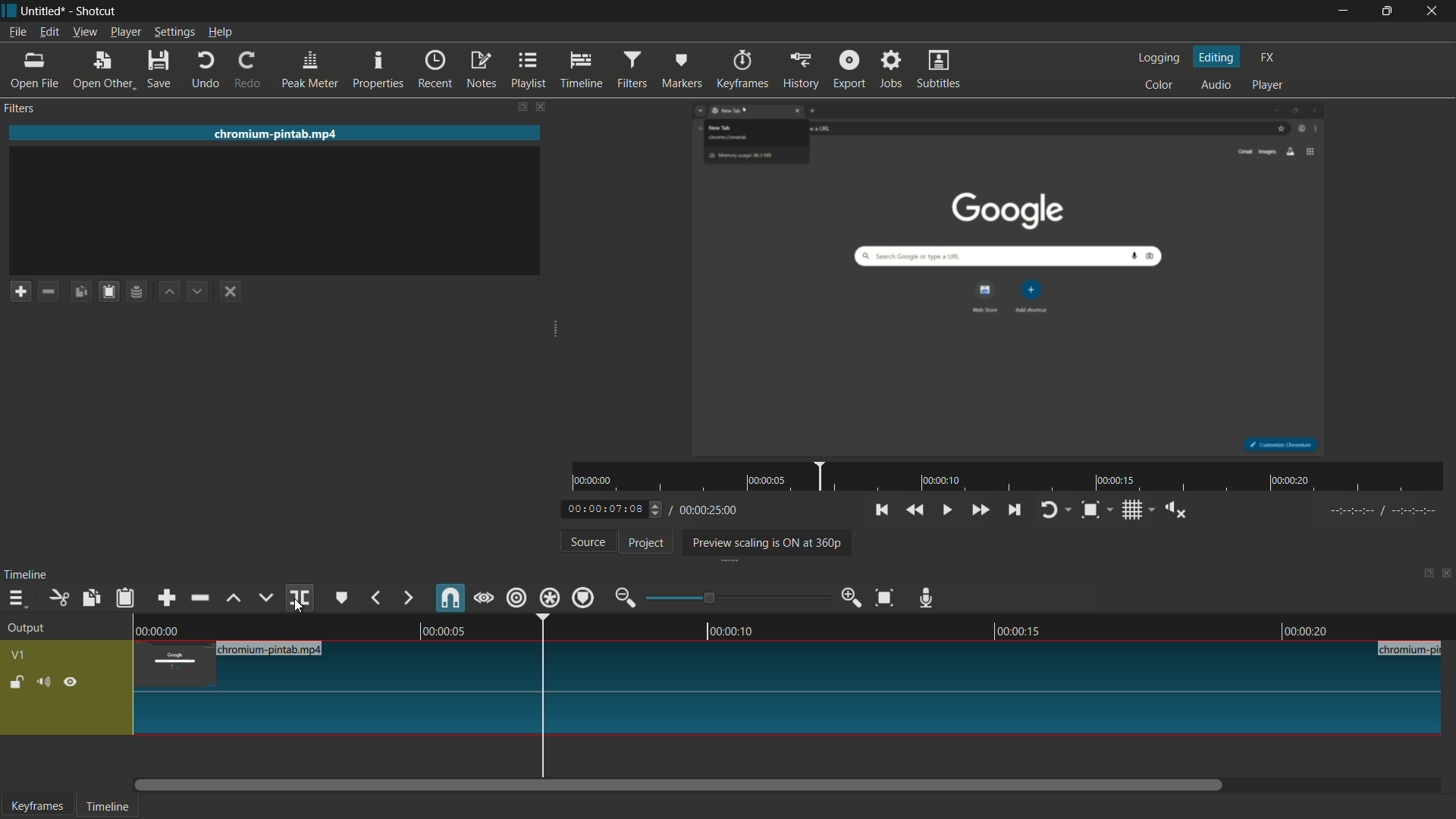  I want to click on lift, so click(235, 599).